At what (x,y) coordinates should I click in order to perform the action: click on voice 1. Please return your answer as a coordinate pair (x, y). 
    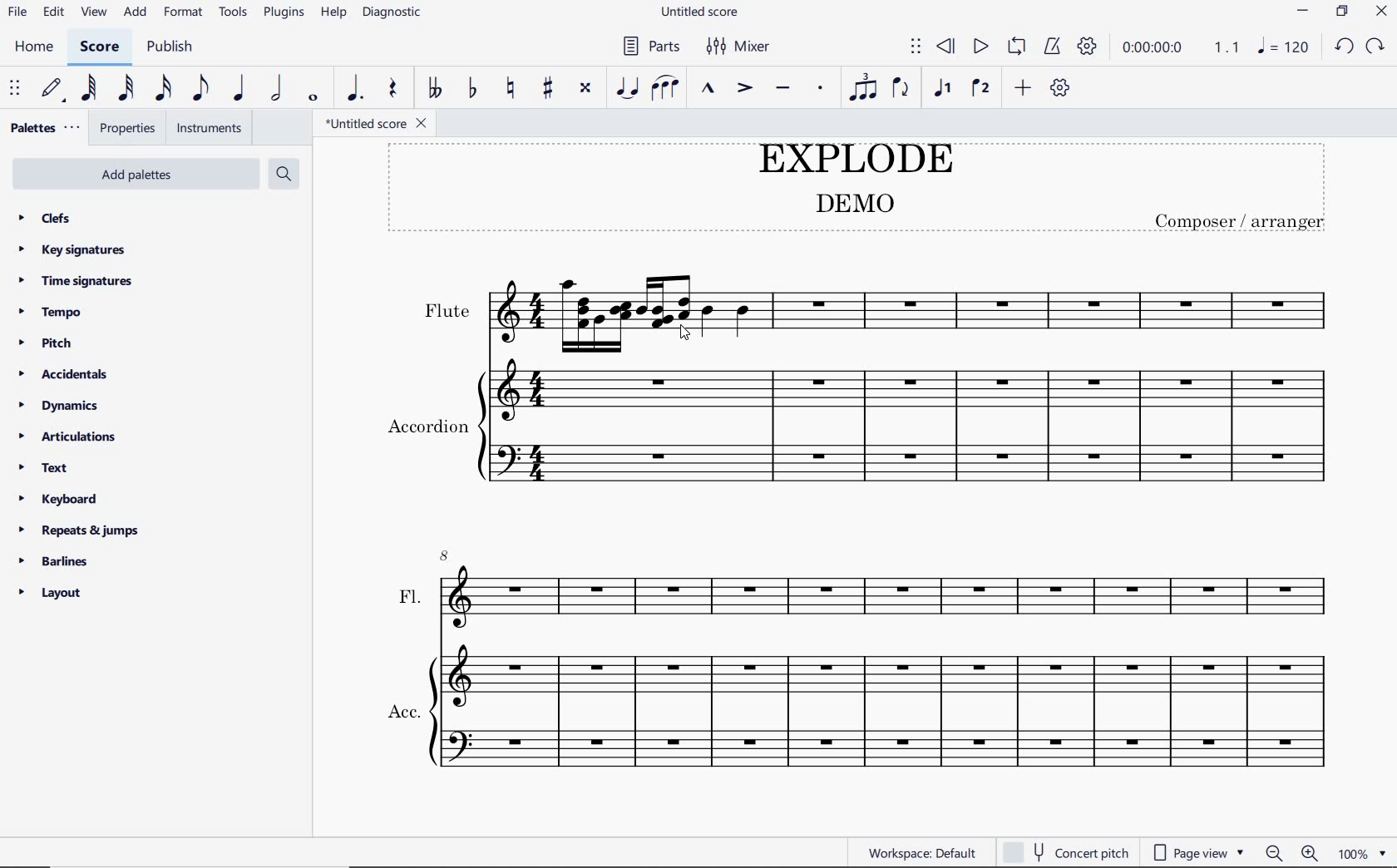
    Looking at the image, I should click on (943, 89).